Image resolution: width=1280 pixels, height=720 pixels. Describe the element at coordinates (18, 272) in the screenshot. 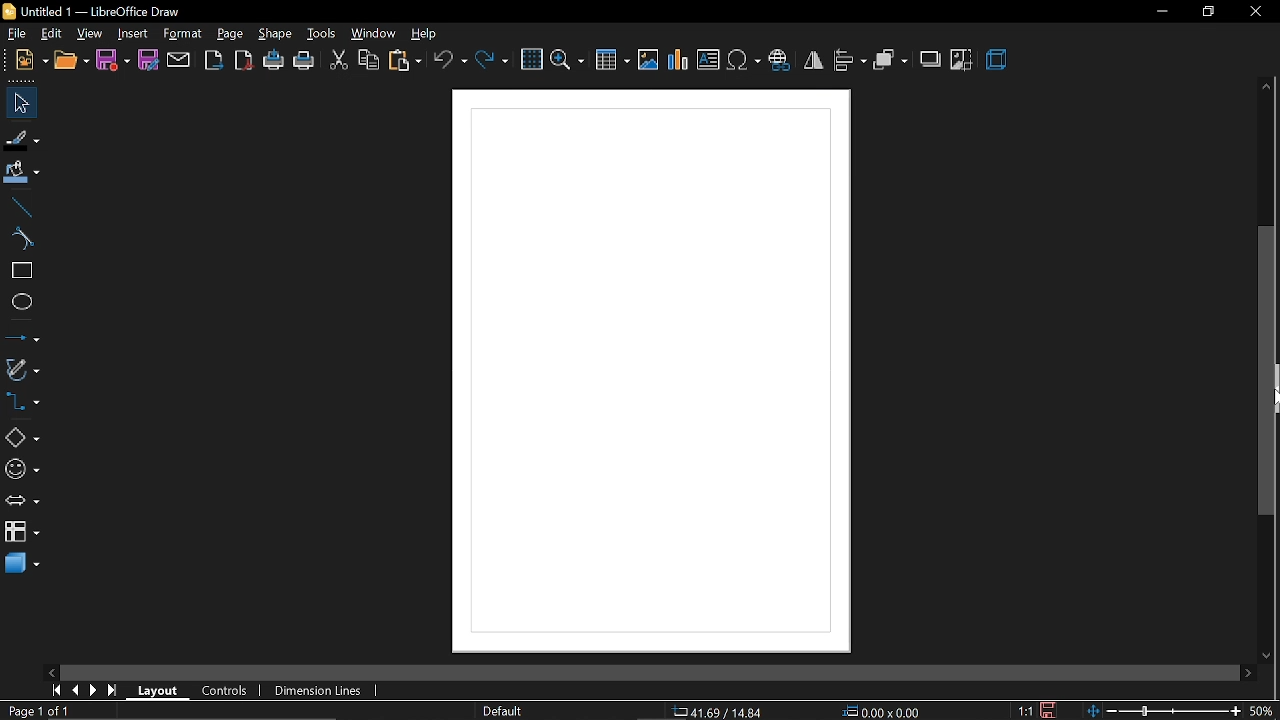

I see `rectangle` at that location.